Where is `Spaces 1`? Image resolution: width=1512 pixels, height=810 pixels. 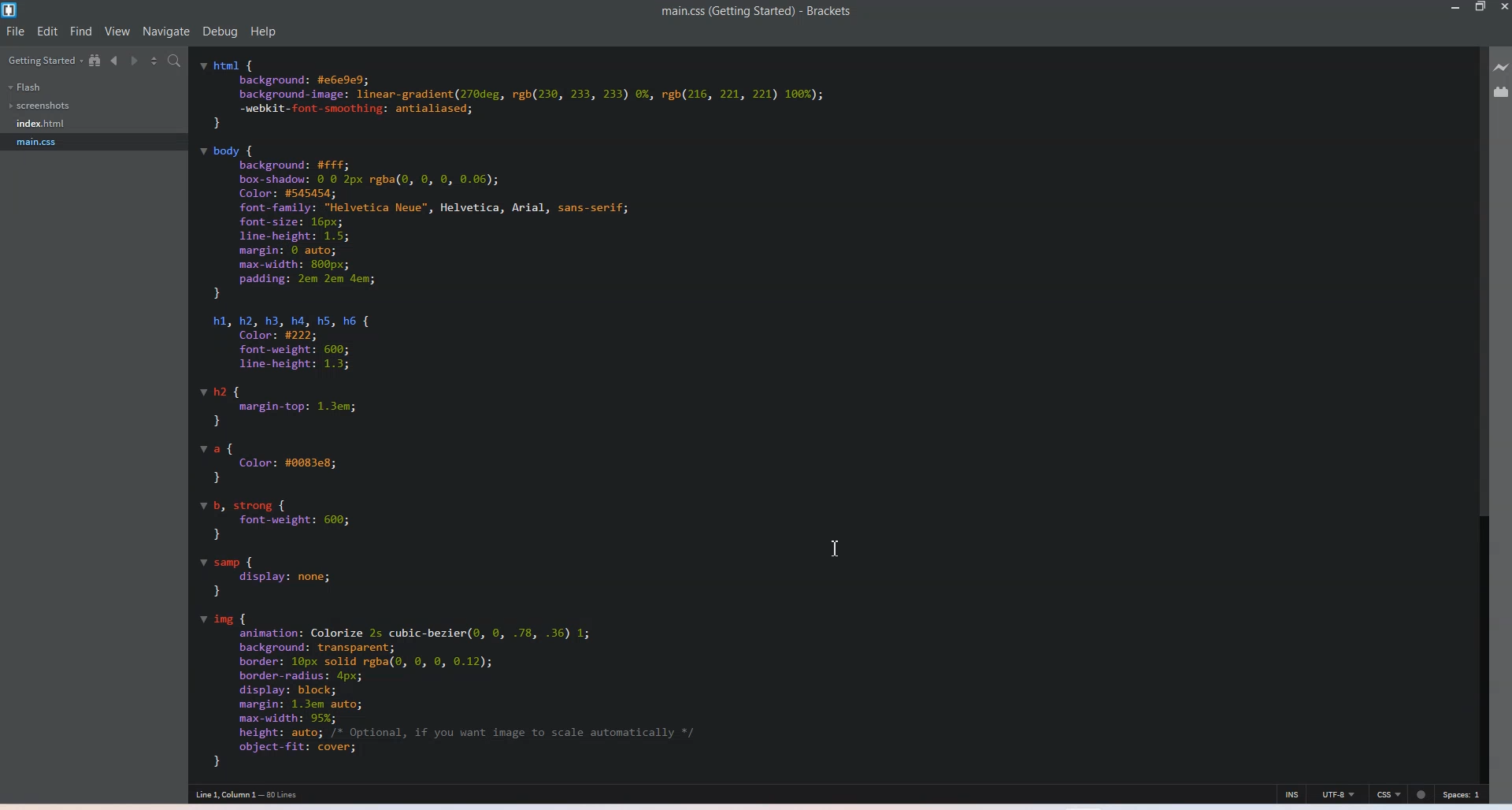
Spaces 1 is located at coordinates (1460, 795).